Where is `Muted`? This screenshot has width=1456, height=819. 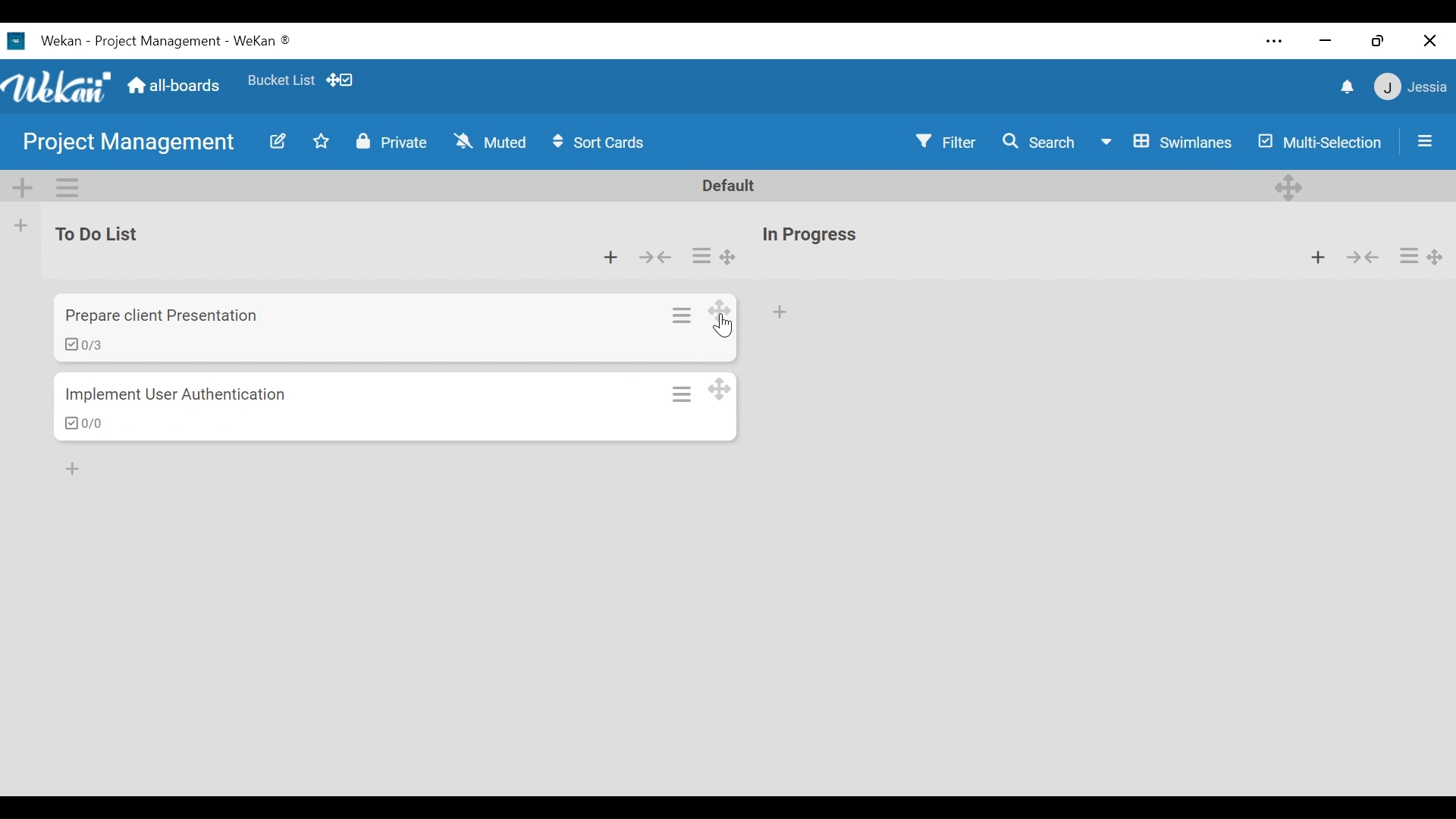
Muted is located at coordinates (489, 141).